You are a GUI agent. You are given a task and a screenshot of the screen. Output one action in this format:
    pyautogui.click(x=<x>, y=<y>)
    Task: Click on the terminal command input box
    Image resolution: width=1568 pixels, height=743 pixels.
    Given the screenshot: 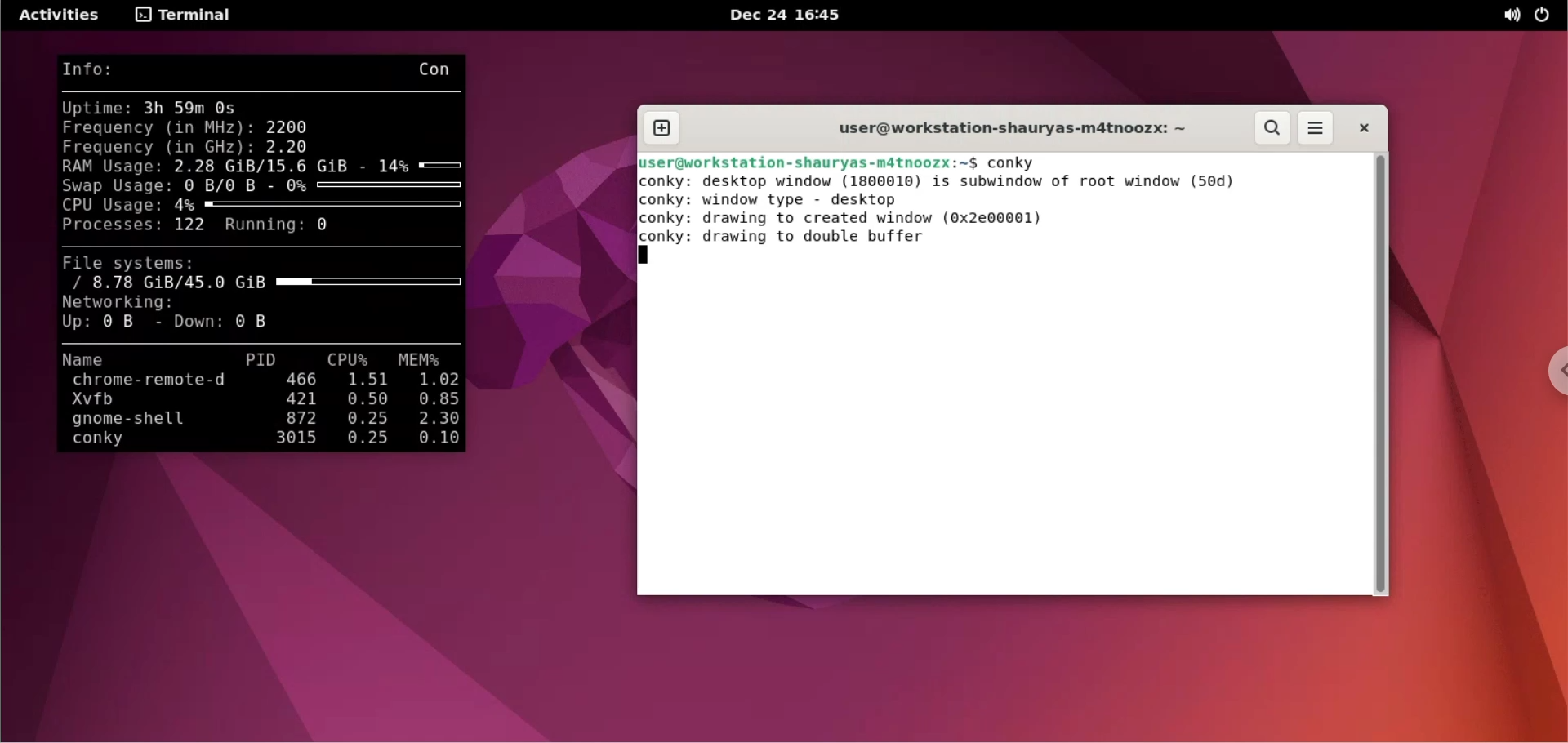 What is the action you would take?
    pyautogui.click(x=1211, y=161)
    